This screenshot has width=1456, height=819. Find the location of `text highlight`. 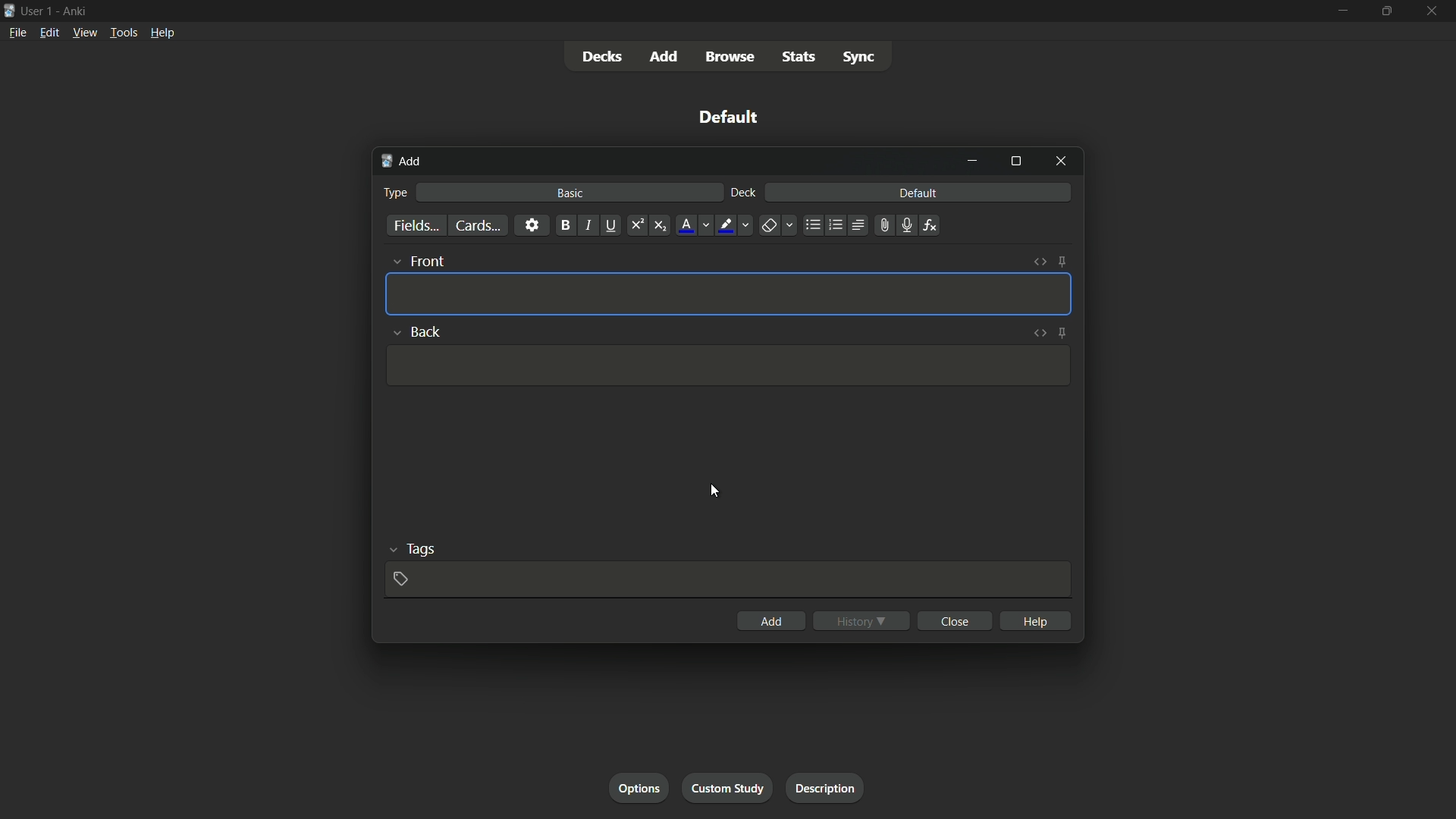

text highlight is located at coordinates (733, 225).